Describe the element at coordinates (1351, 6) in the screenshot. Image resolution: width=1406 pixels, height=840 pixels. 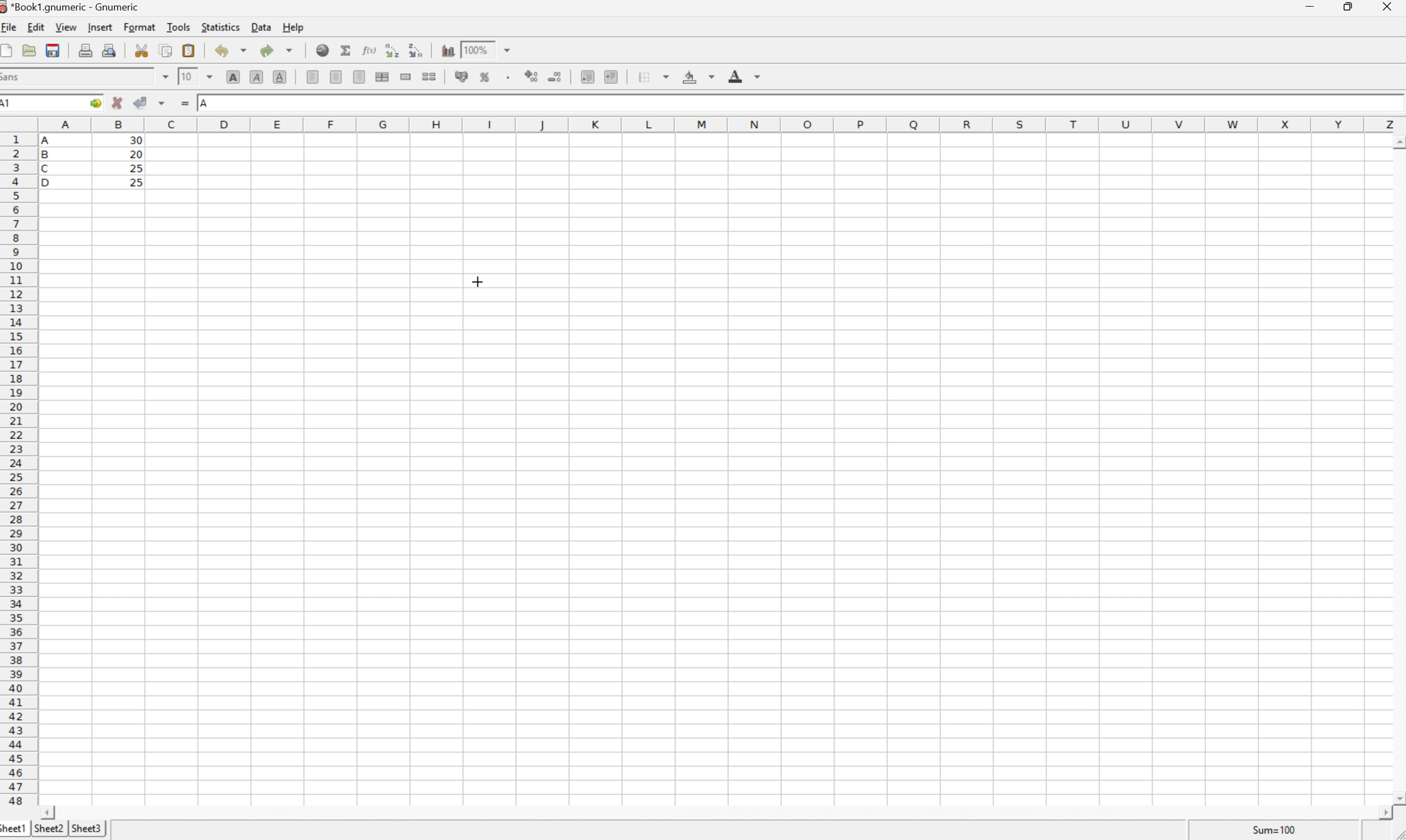
I see `Restore Down` at that location.